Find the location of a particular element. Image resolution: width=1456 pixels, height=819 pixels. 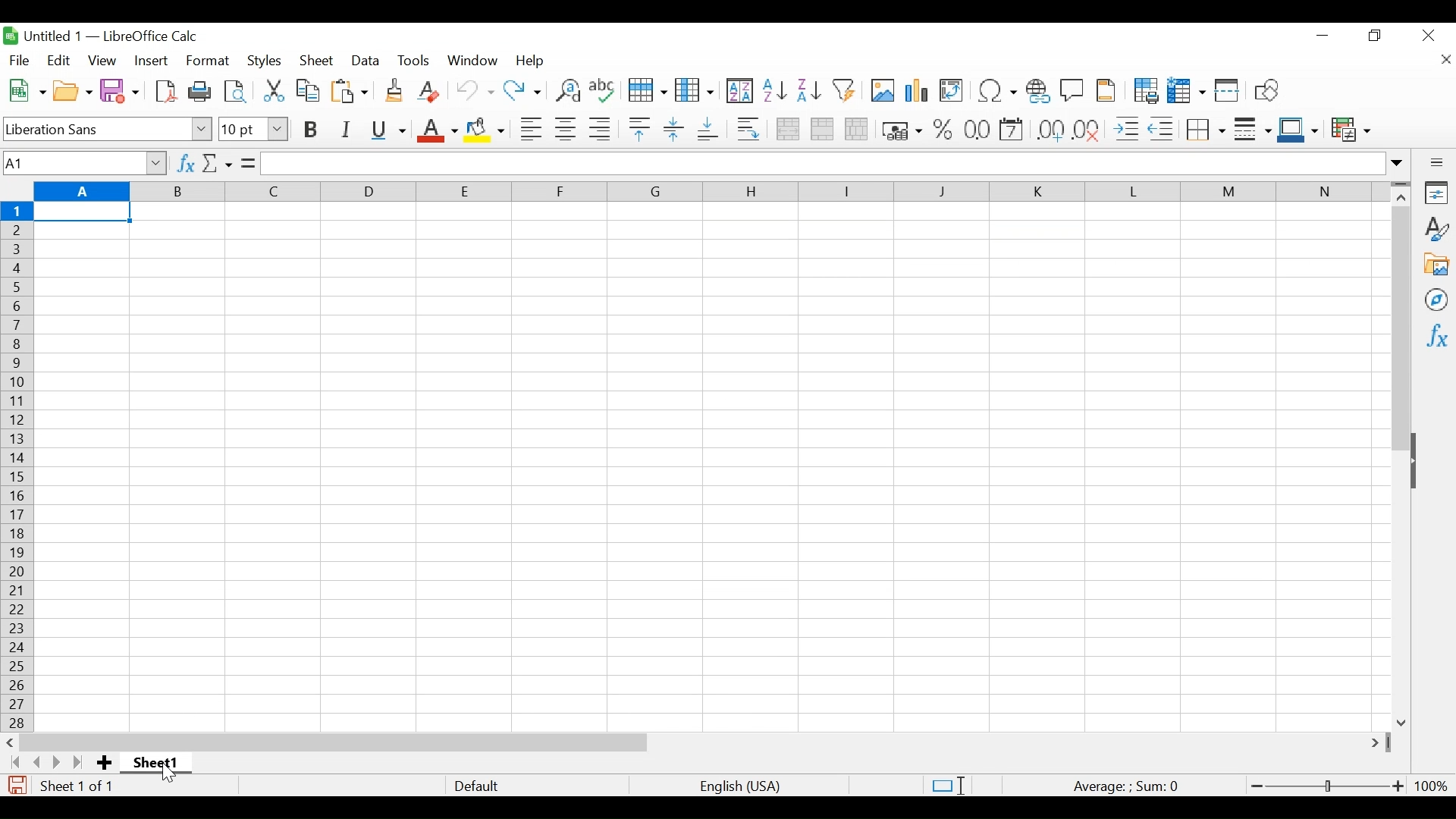

Formula is located at coordinates (1131, 784).